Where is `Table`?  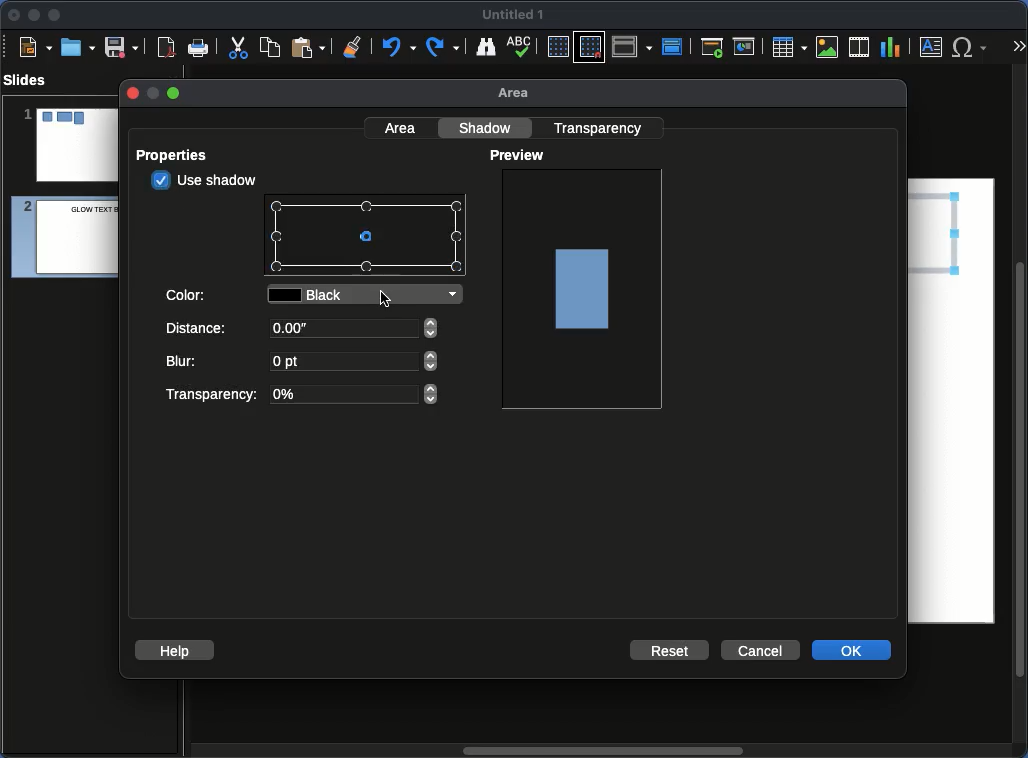 Table is located at coordinates (788, 46).